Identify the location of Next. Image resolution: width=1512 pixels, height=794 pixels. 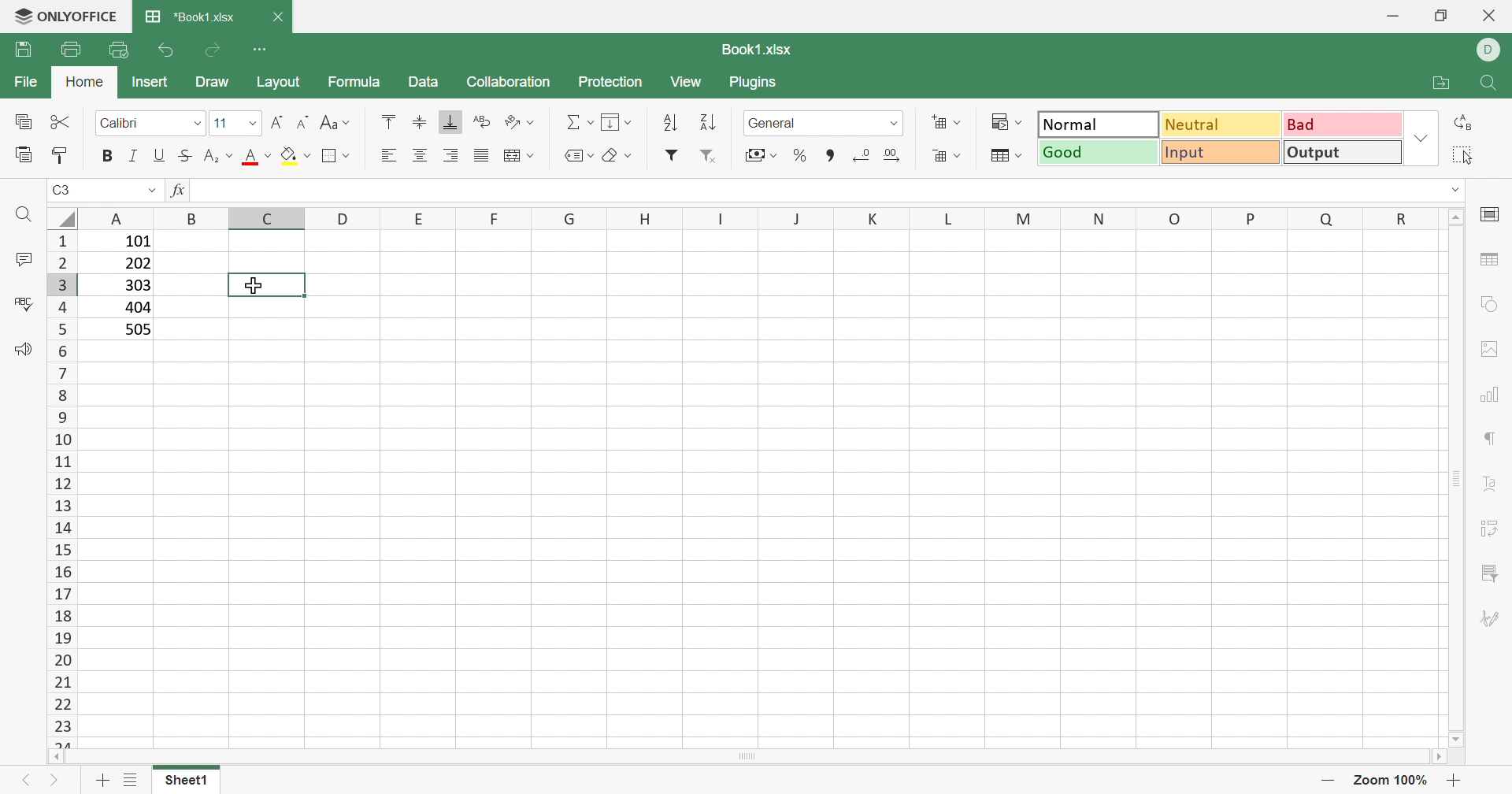
(55, 783).